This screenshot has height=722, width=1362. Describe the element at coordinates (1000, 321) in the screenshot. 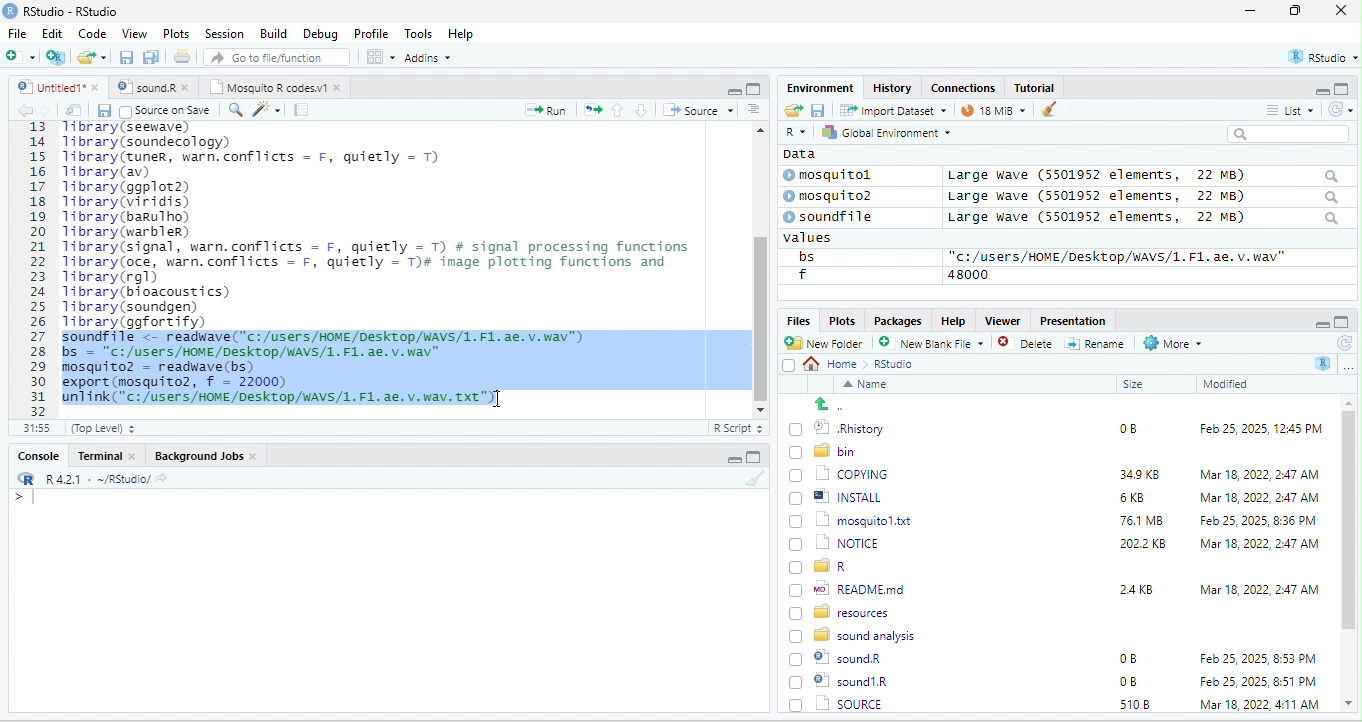

I see `Viewer` at that location.